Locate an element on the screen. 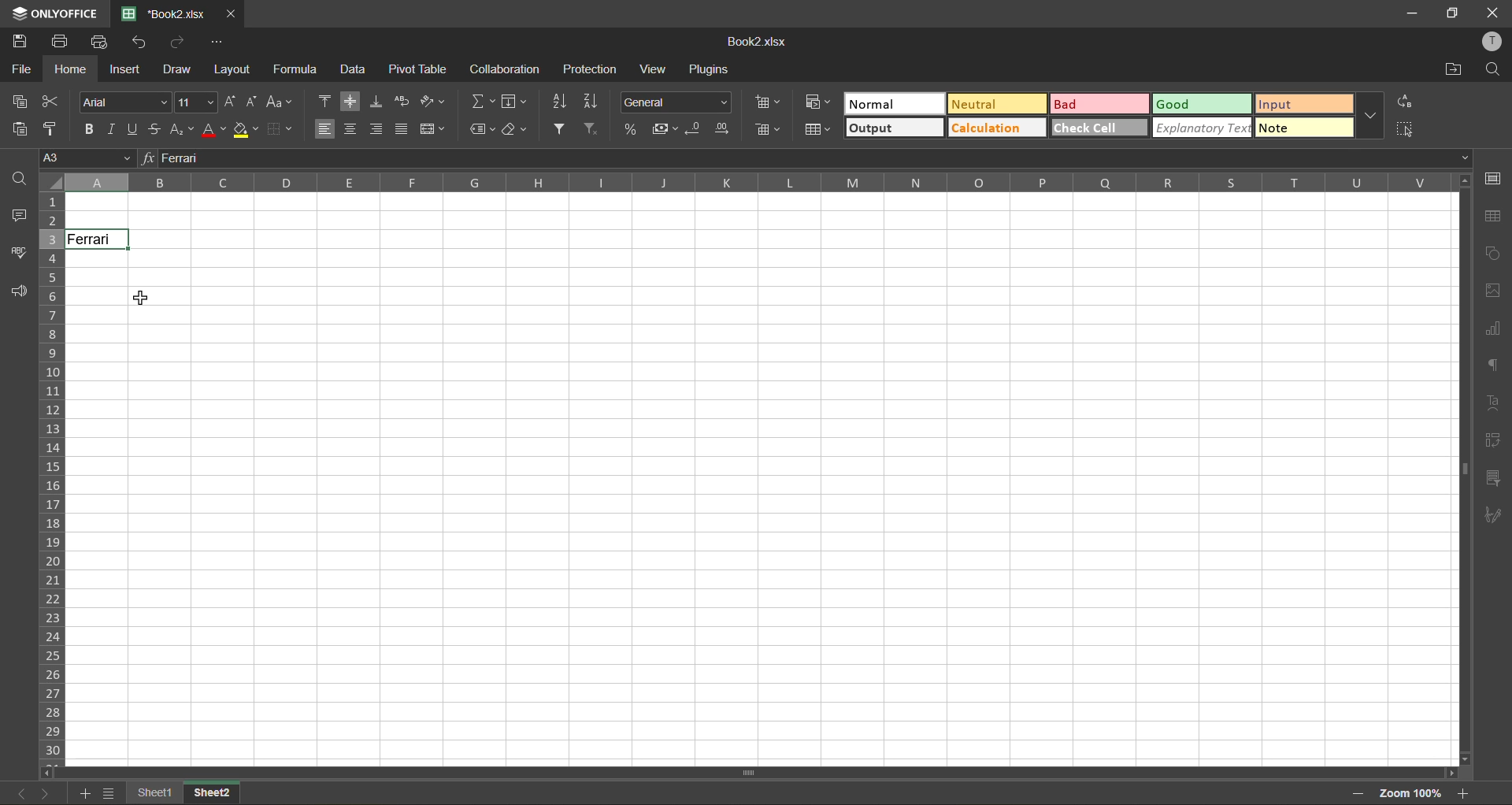 This screenshot has width=1512, height=805. maximize is located at coordinates (1453, 14).